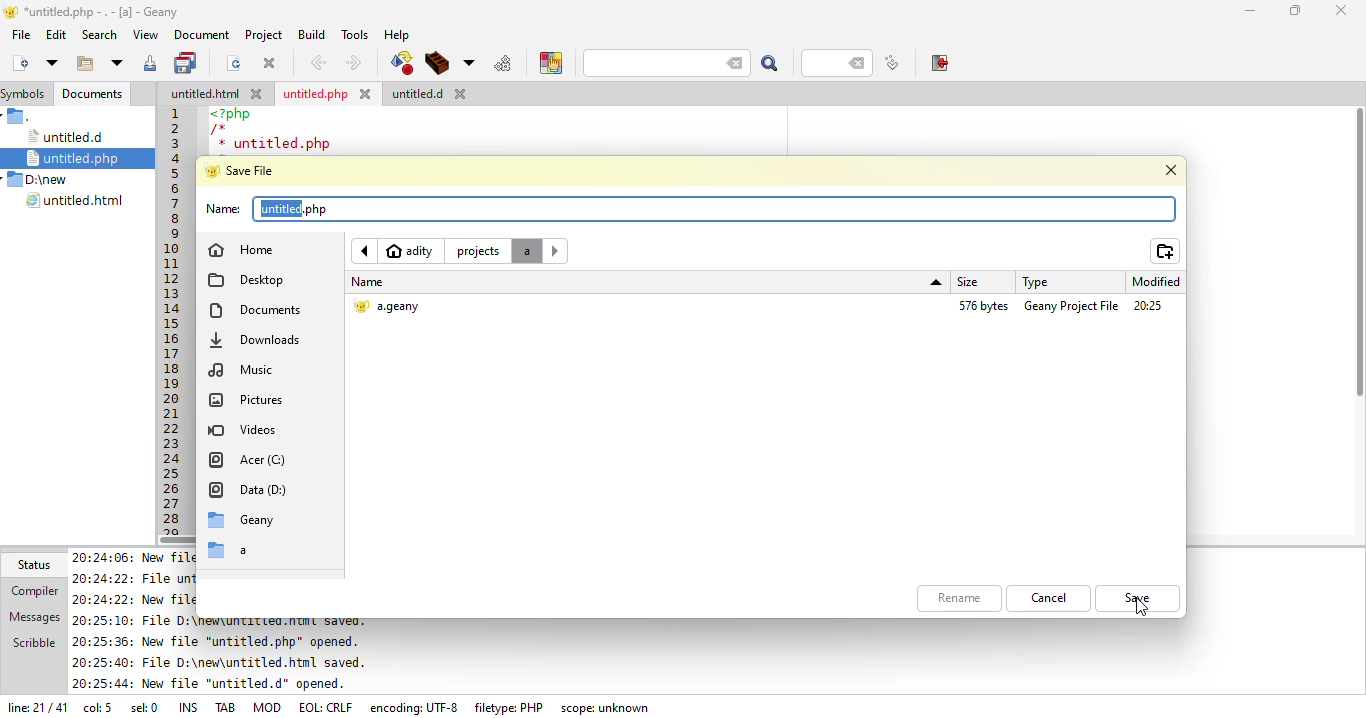 The image size is (1366, 718). I want to click on sort, so click(937, 283).